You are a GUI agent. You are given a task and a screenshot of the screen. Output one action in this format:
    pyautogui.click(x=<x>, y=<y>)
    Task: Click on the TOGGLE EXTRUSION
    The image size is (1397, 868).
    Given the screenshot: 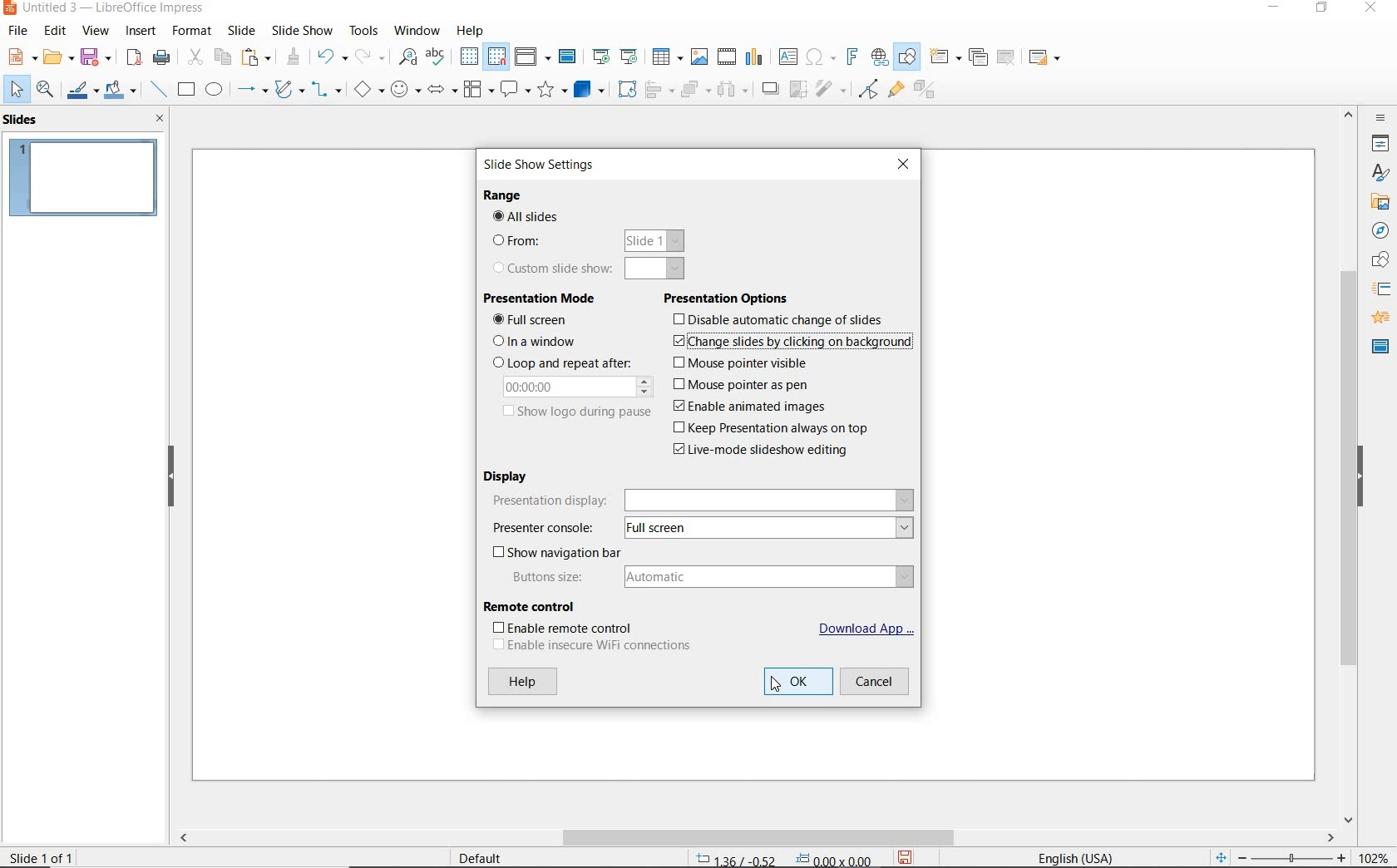 What is the action you would take?
    pyautogui.click(x=924, y=91)
    